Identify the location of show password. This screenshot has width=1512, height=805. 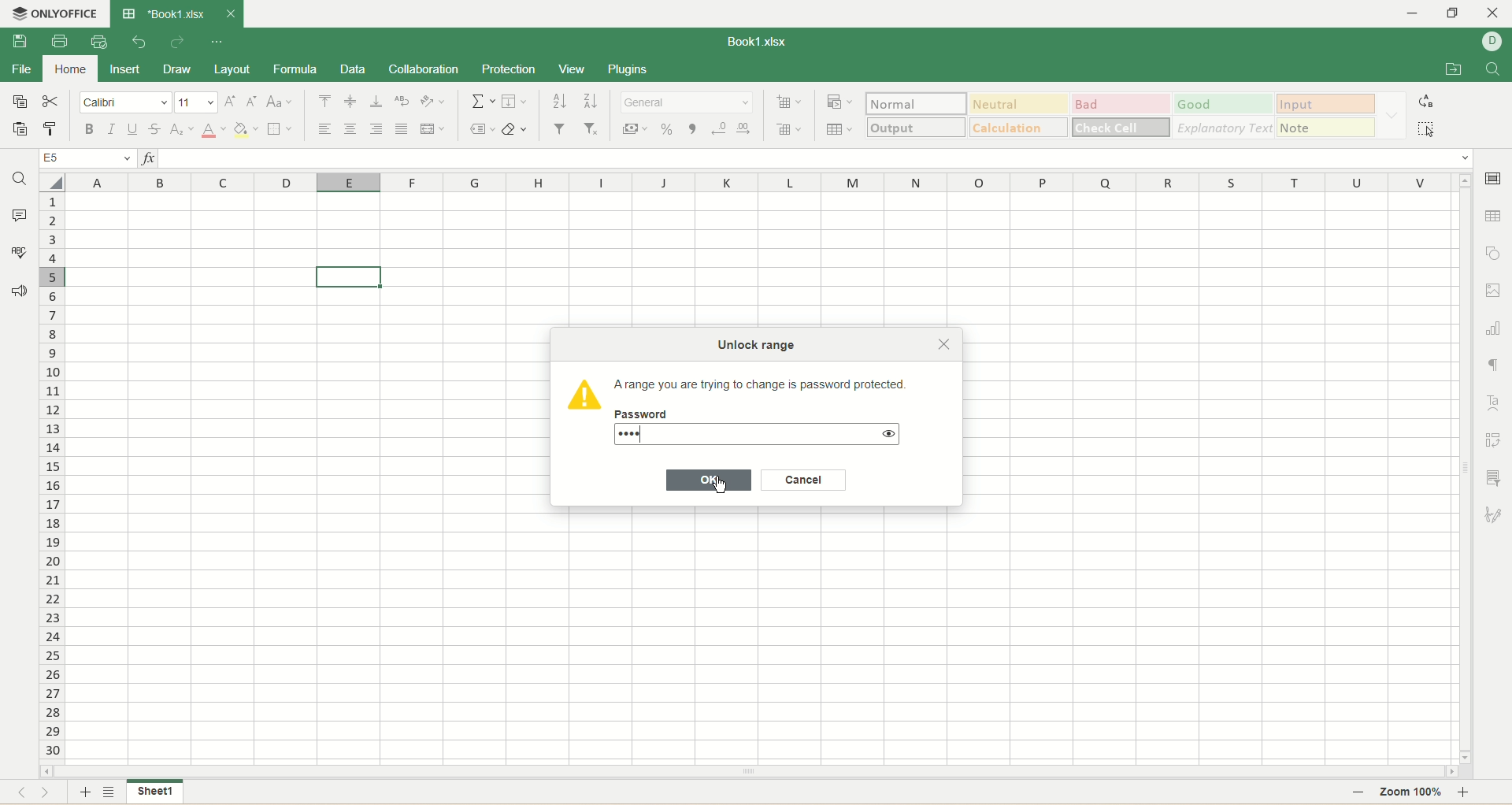
(887, 437).